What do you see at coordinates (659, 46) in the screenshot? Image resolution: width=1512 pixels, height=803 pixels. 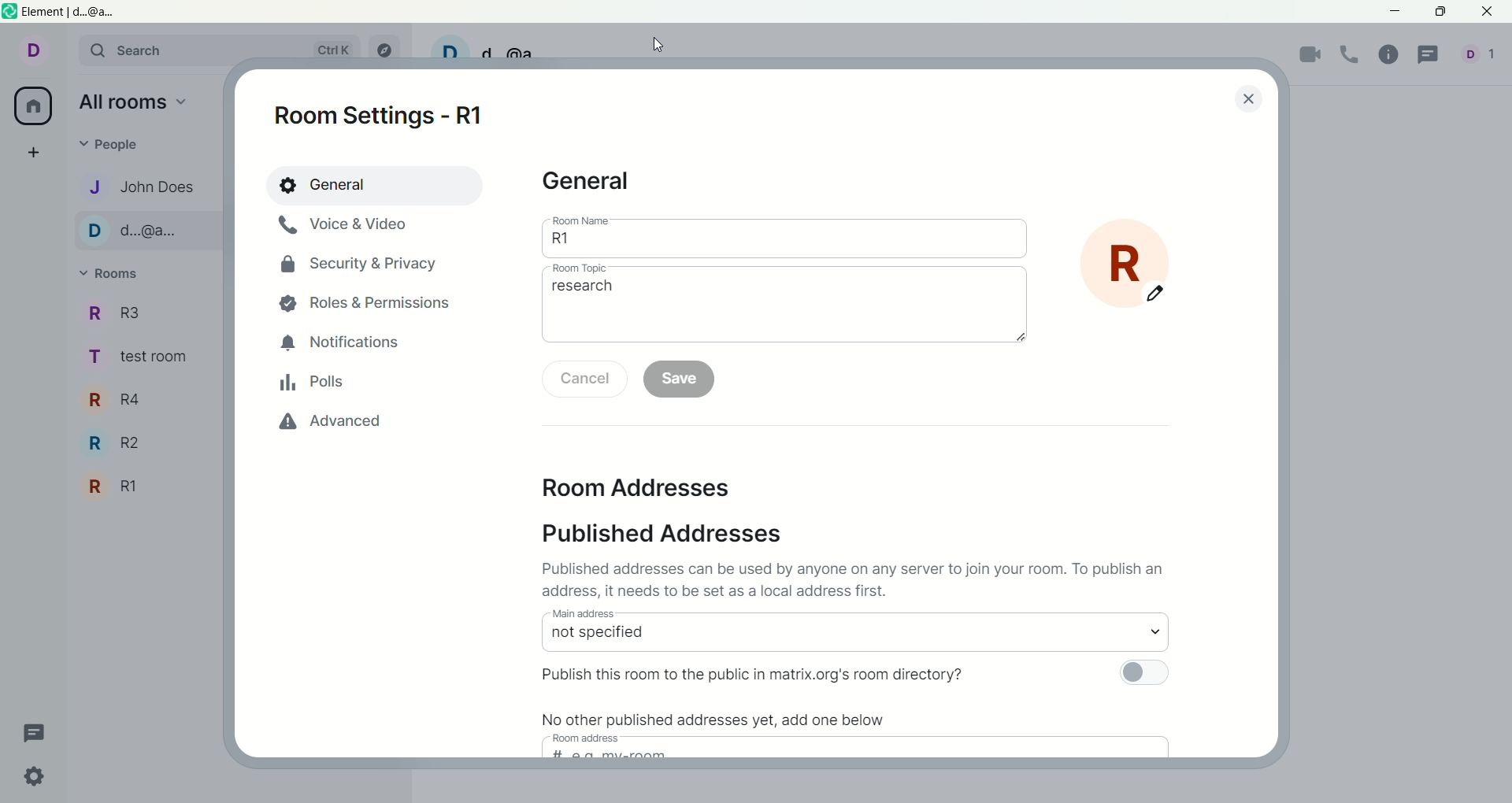 I see `cursor movement` at bounding box center [659, 46].